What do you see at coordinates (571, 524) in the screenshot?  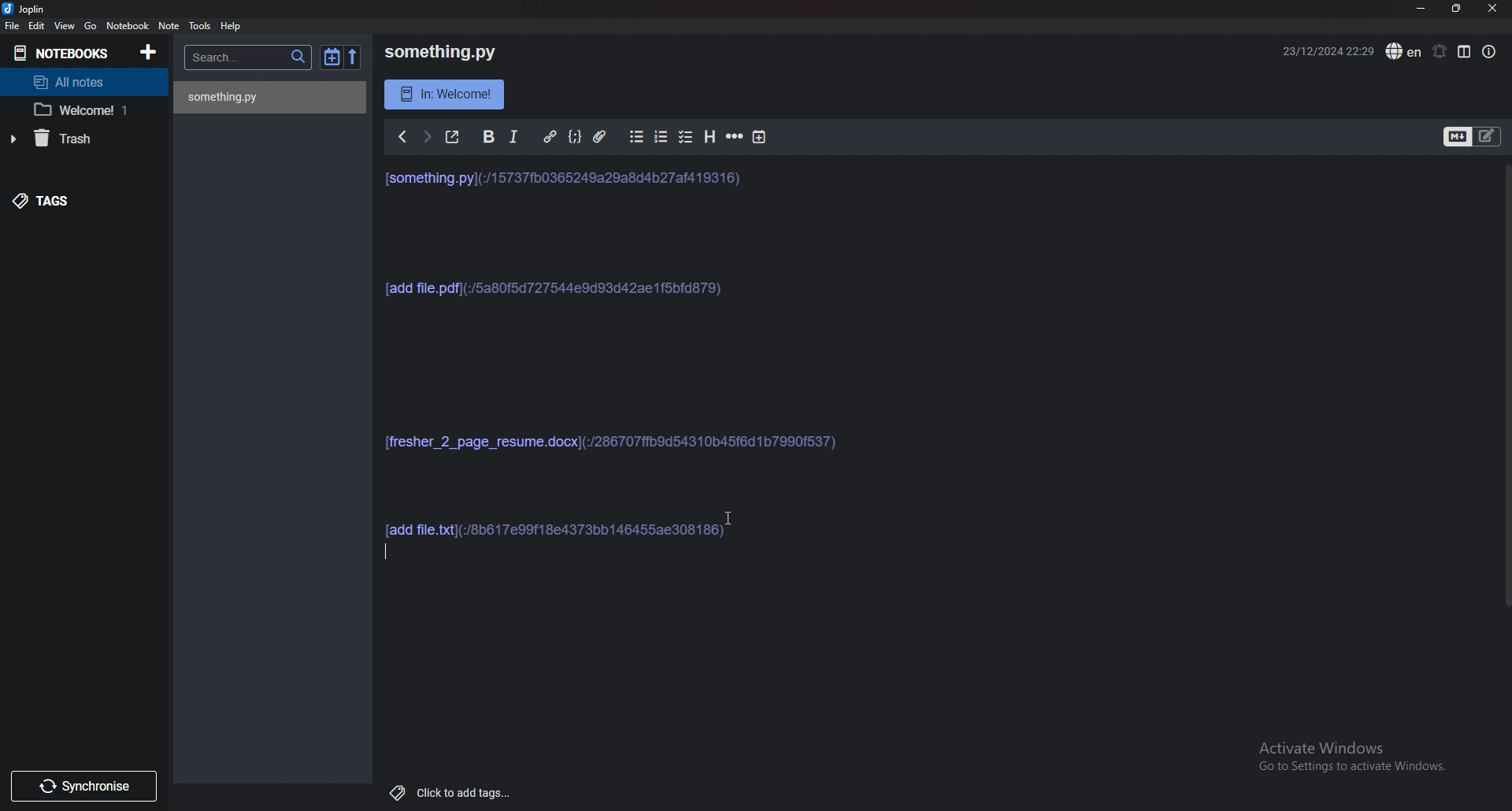 I see `[add file.txt](-/8b617e99f18e4373bb 14645523081 86)` at bounding box center [571, 524].